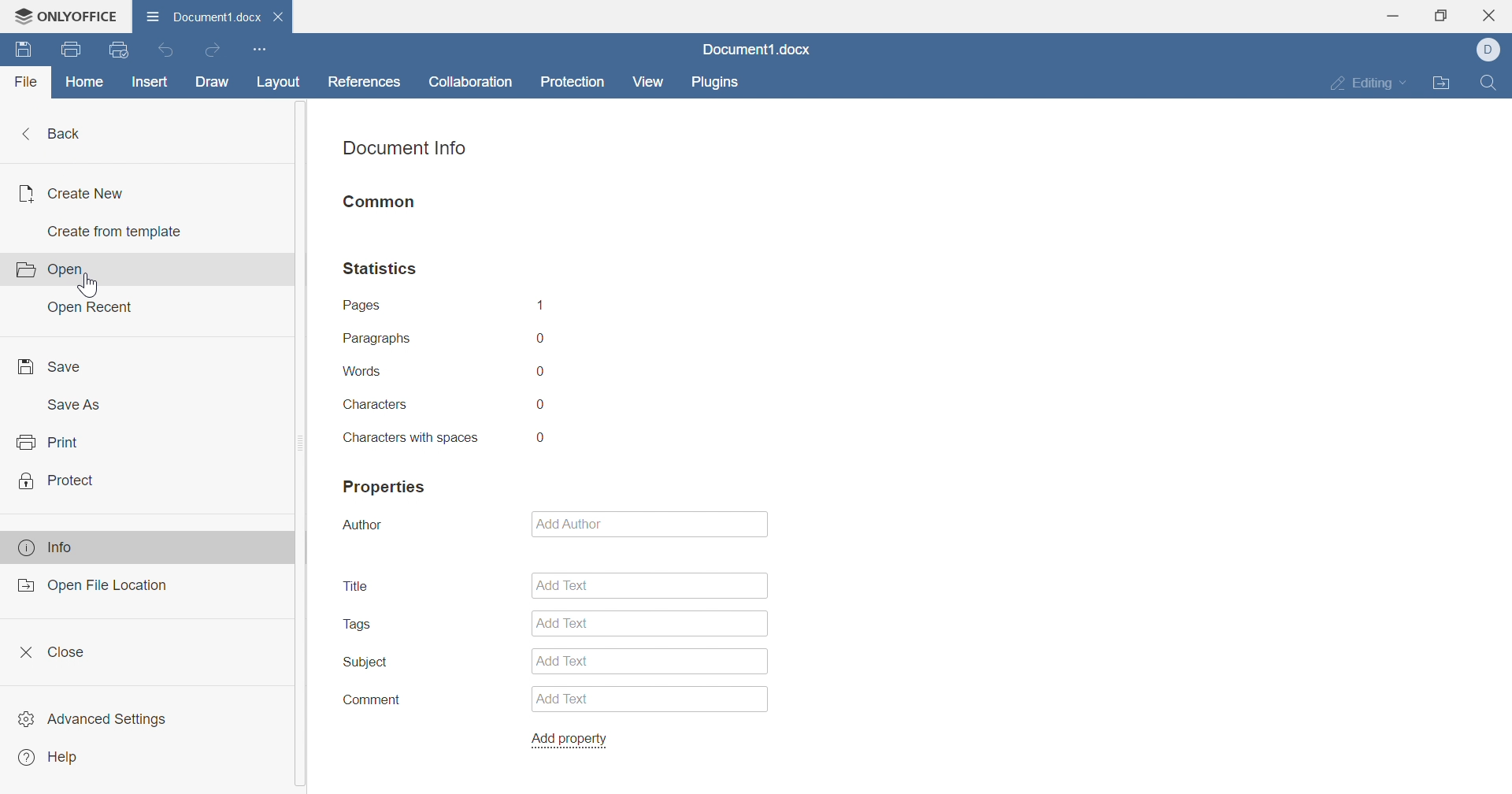 The width and height of the screenshot is (1512, 794). What do you see at coordinates (406, 149) in the screenshot?
I see `document info` at bounding box center [406, 149].